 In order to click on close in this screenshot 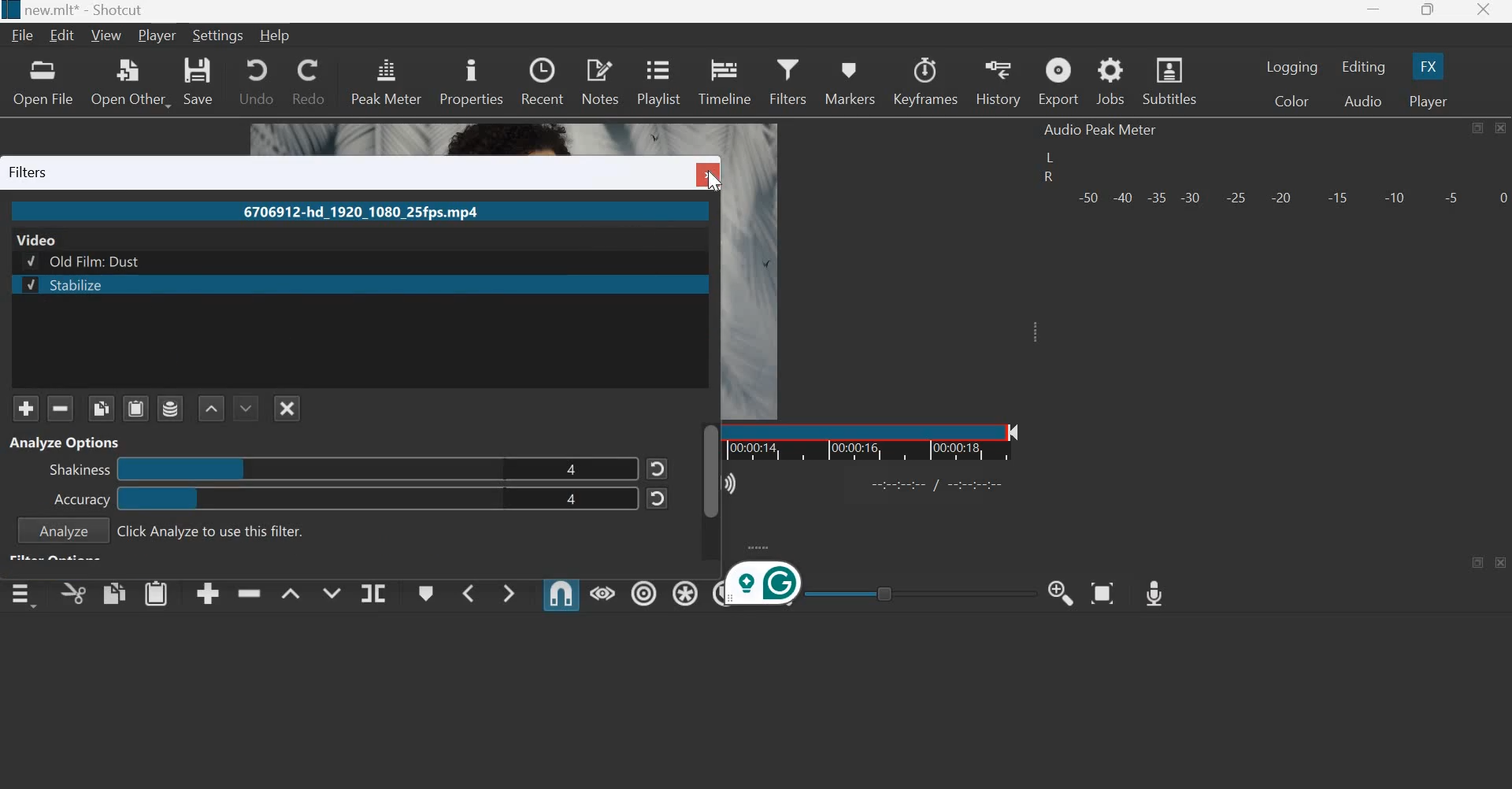, I will do `click(1501, 562)`.